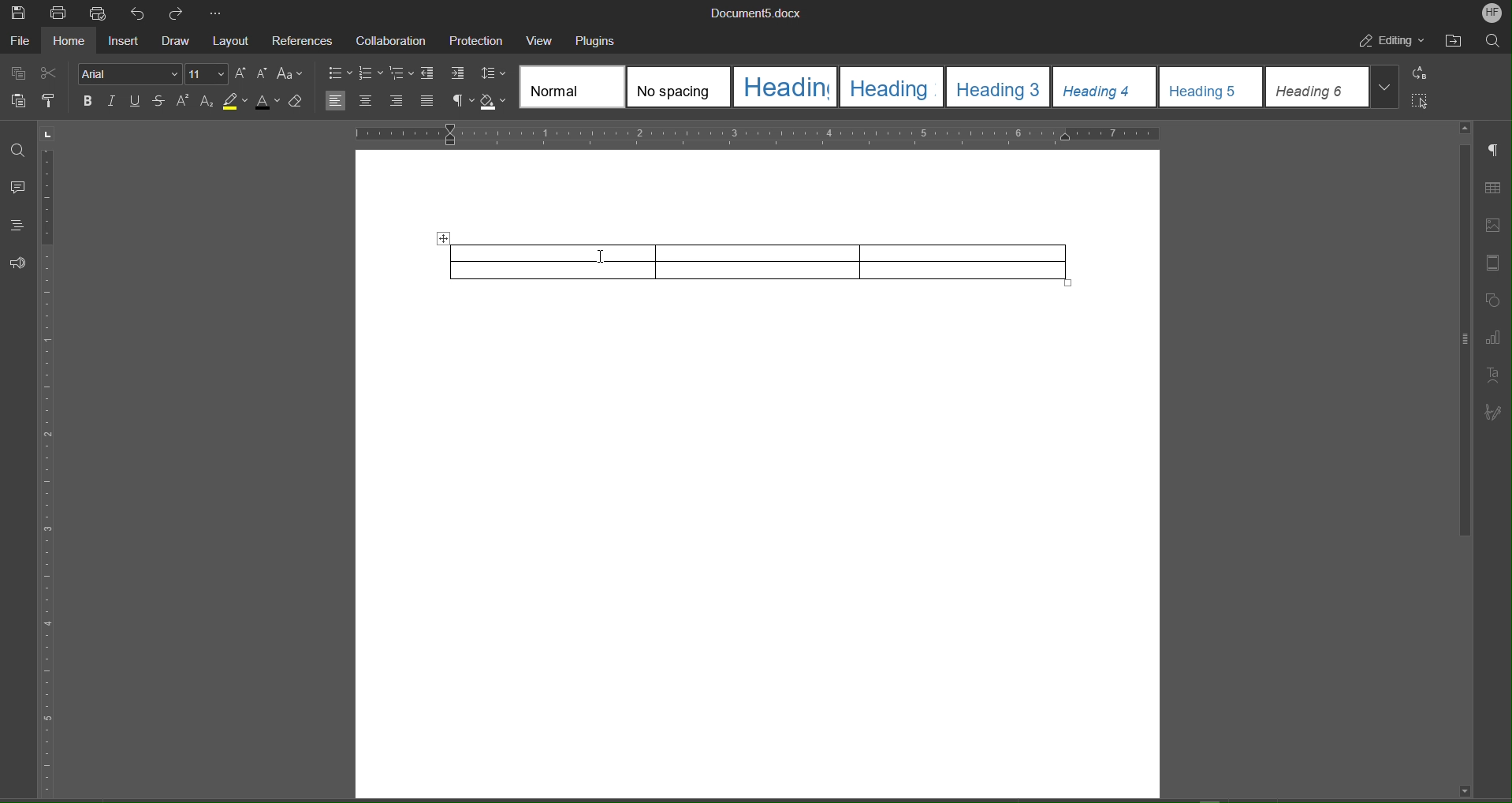  Describe the element at coordinates (496, 102) in the screenshot. I see `Shadow` at that location.